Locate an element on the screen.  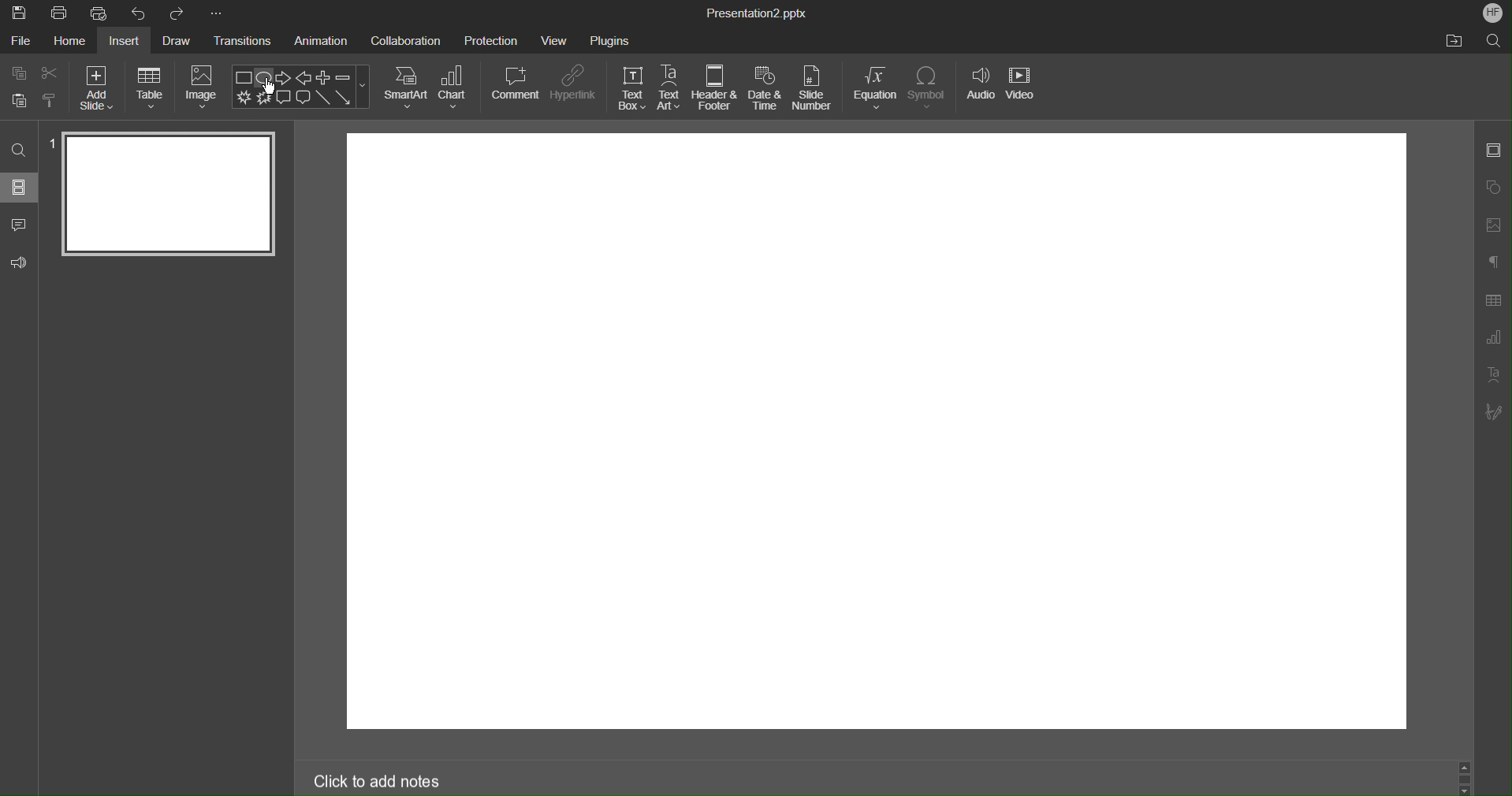
Slide 1 is located at coordinates (166, 193).